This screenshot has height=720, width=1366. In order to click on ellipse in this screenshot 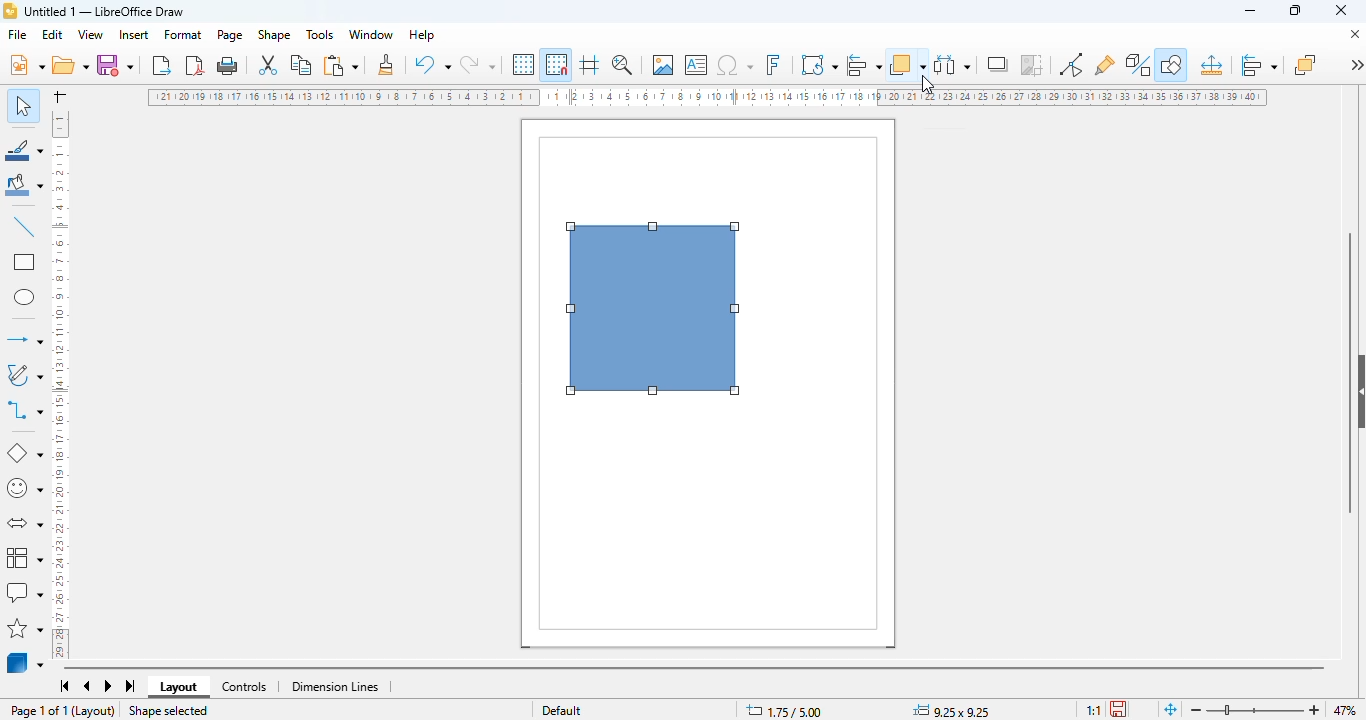, I will do `click(24, 298)`.